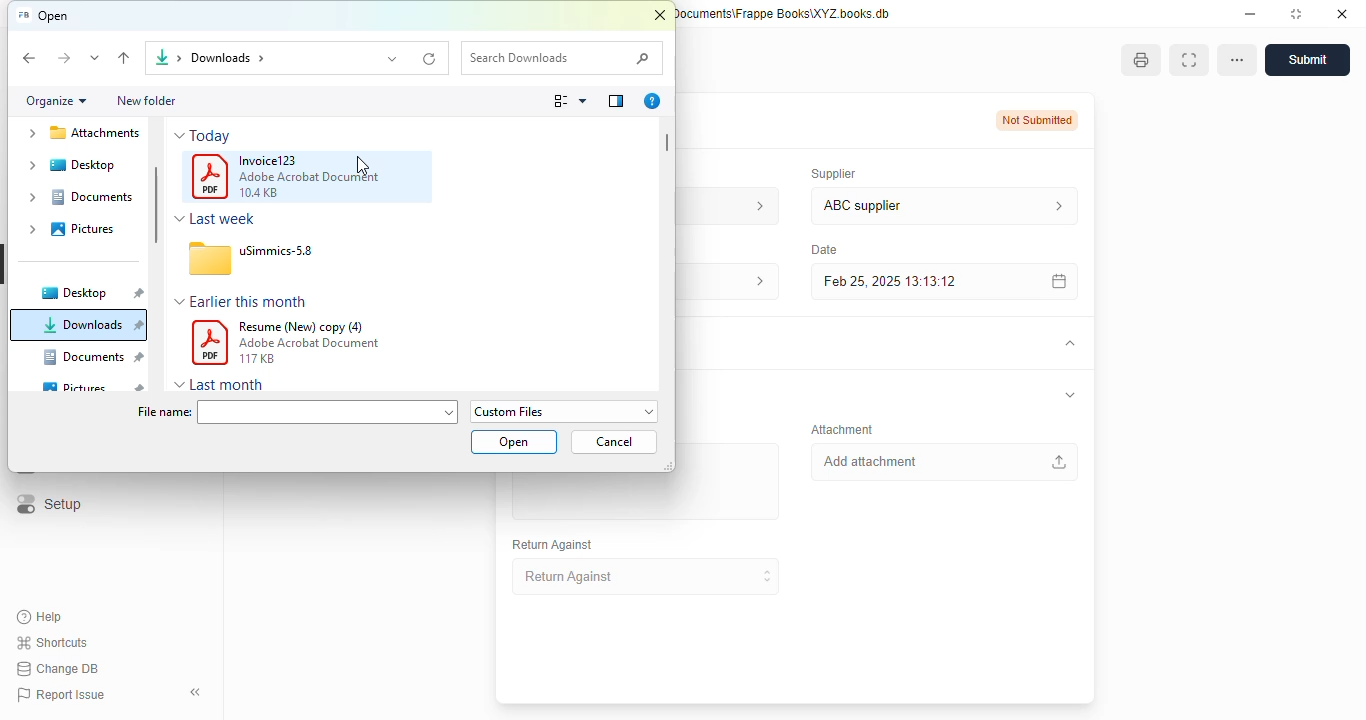 The width and height of the screenshot is (1366, 720). I want to click on Not submitted, so click(1038, 120).